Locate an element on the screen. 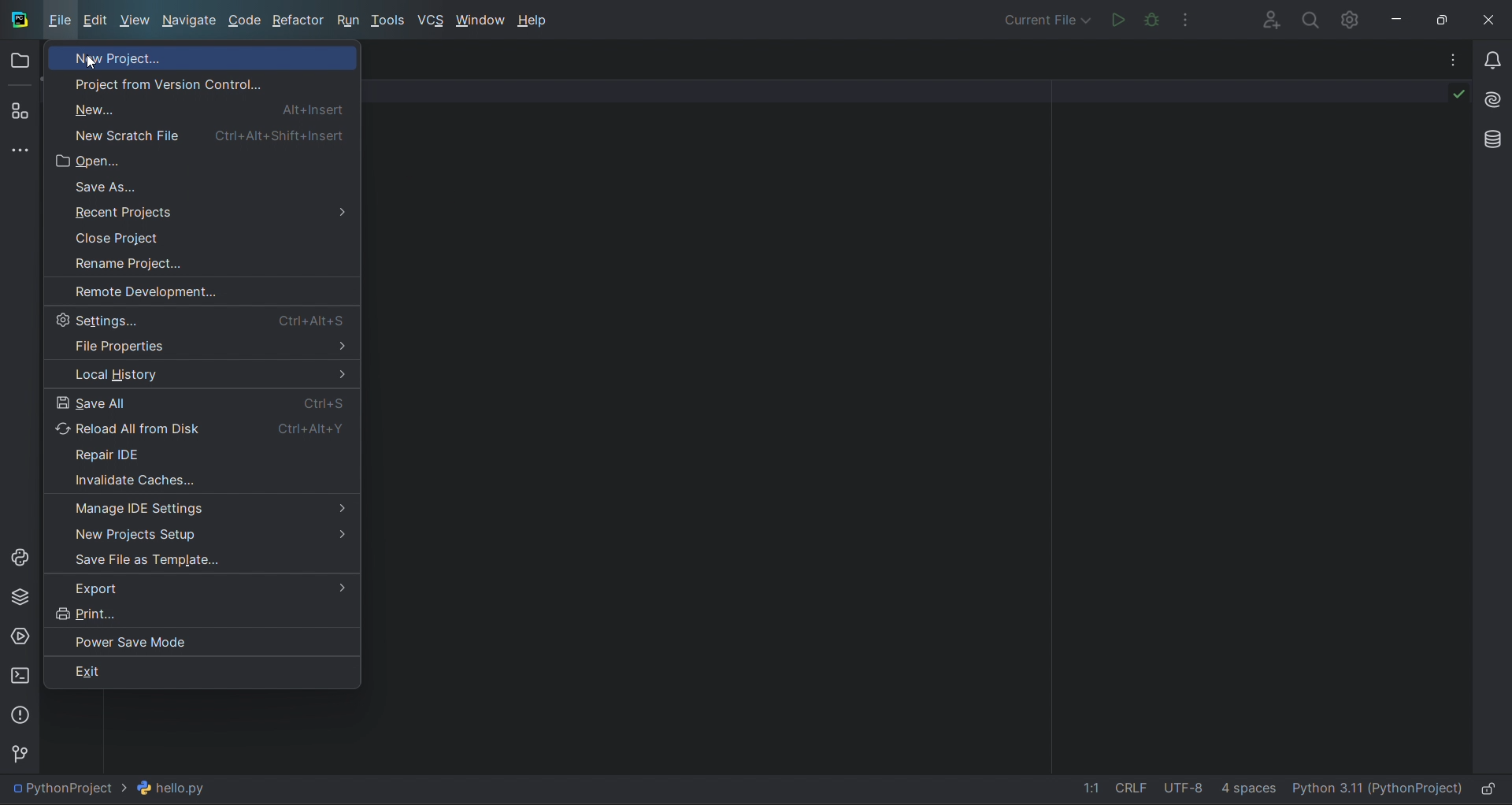 This screenshot has width=1512, height=805. maximize is located at coordinates (1447, 18).